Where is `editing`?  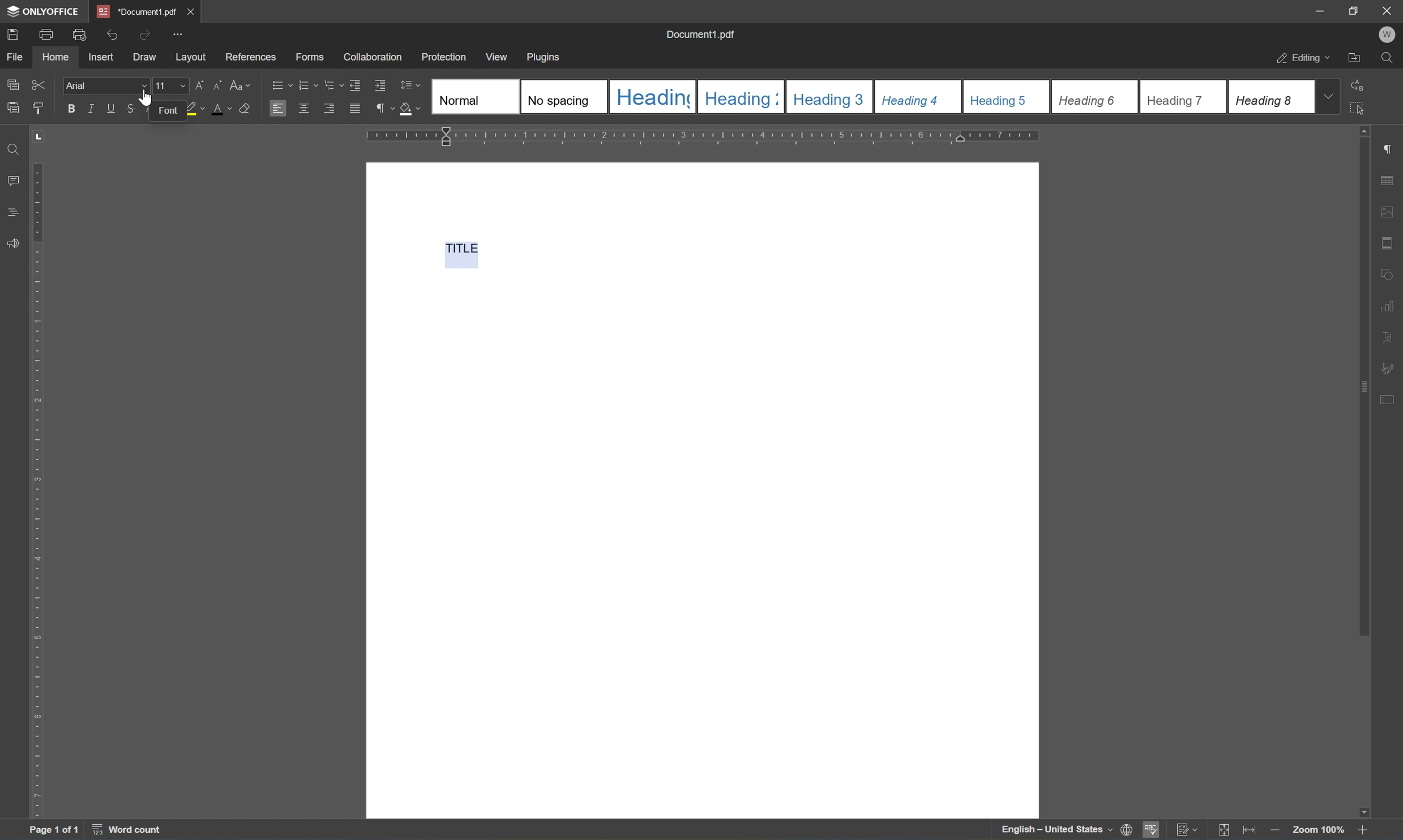
editing is located at coordinates (1302, 59).